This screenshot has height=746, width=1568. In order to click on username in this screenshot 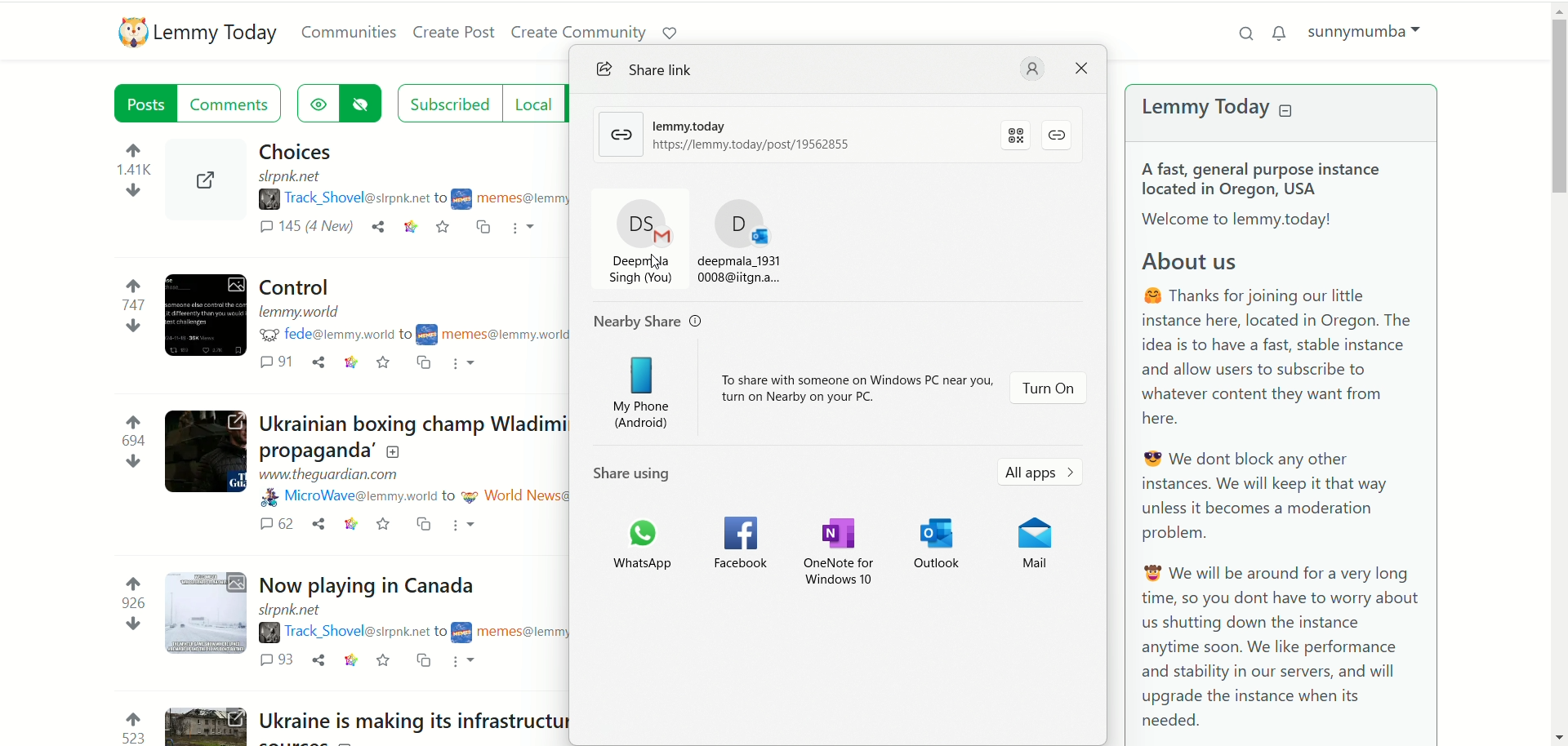, I will do `click(342, 633)`.